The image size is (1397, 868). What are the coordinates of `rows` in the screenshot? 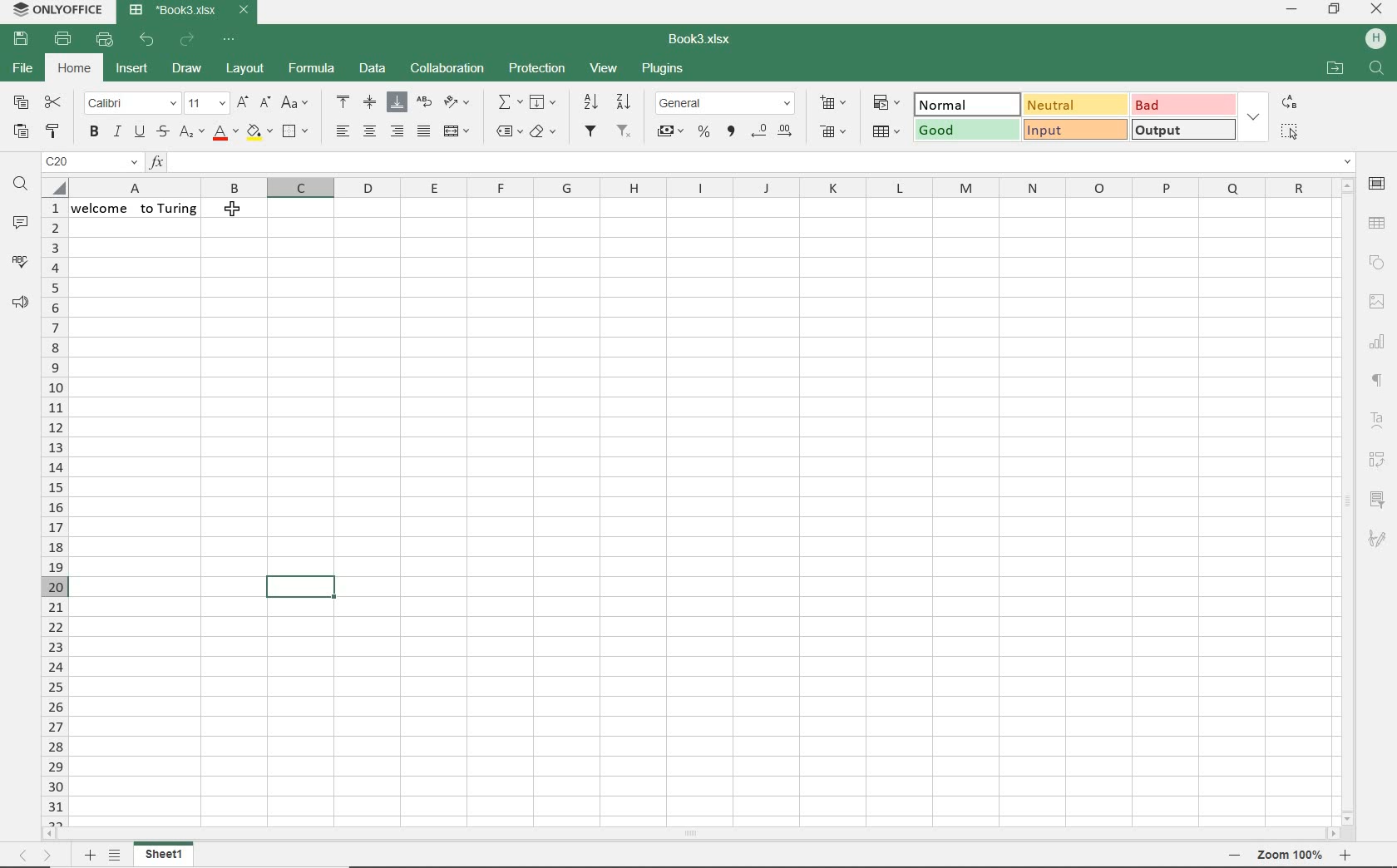 It's located at (56, 510).